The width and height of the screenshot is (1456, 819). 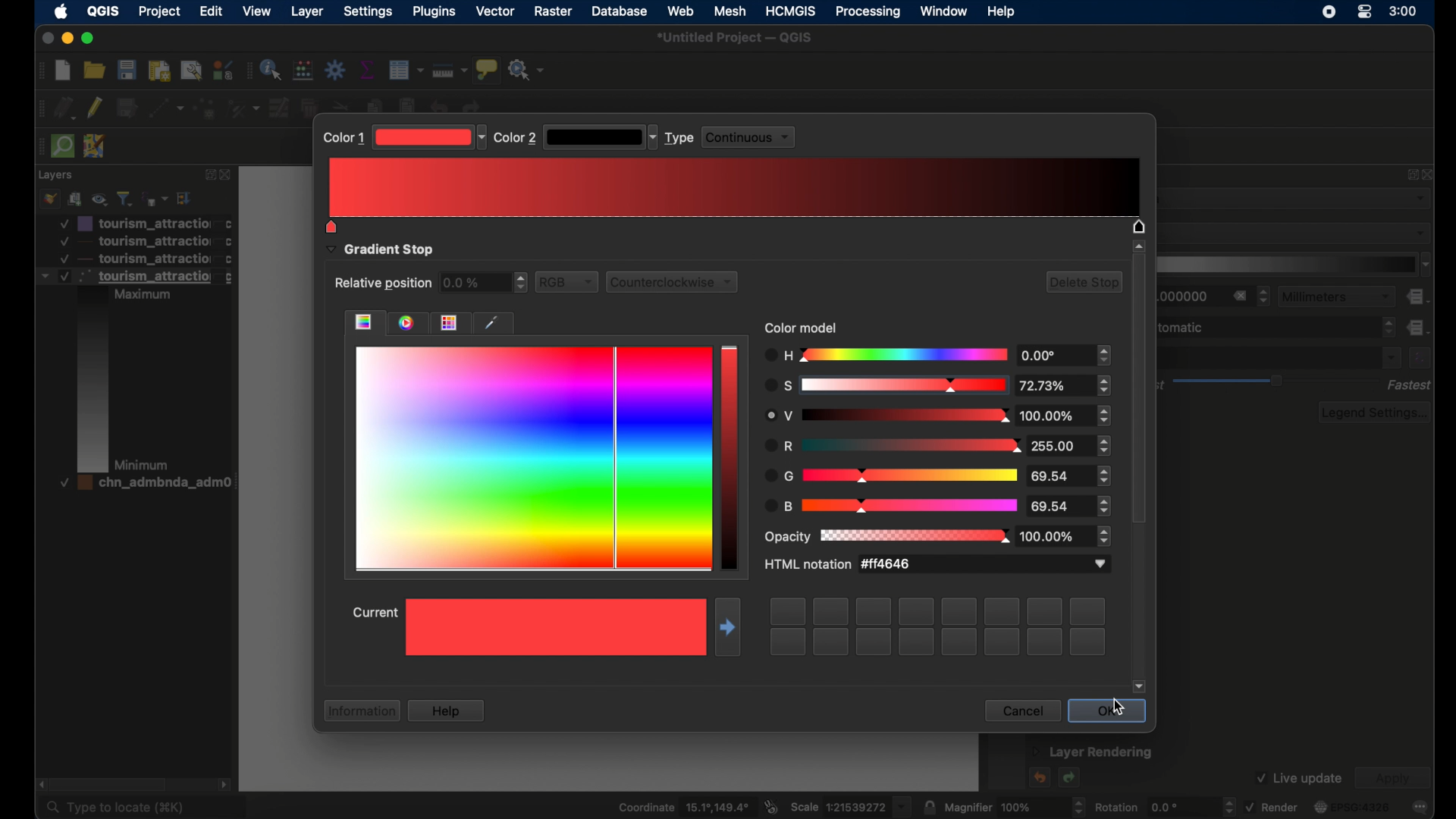 I want to click on render, so click(x=1271, y=806).